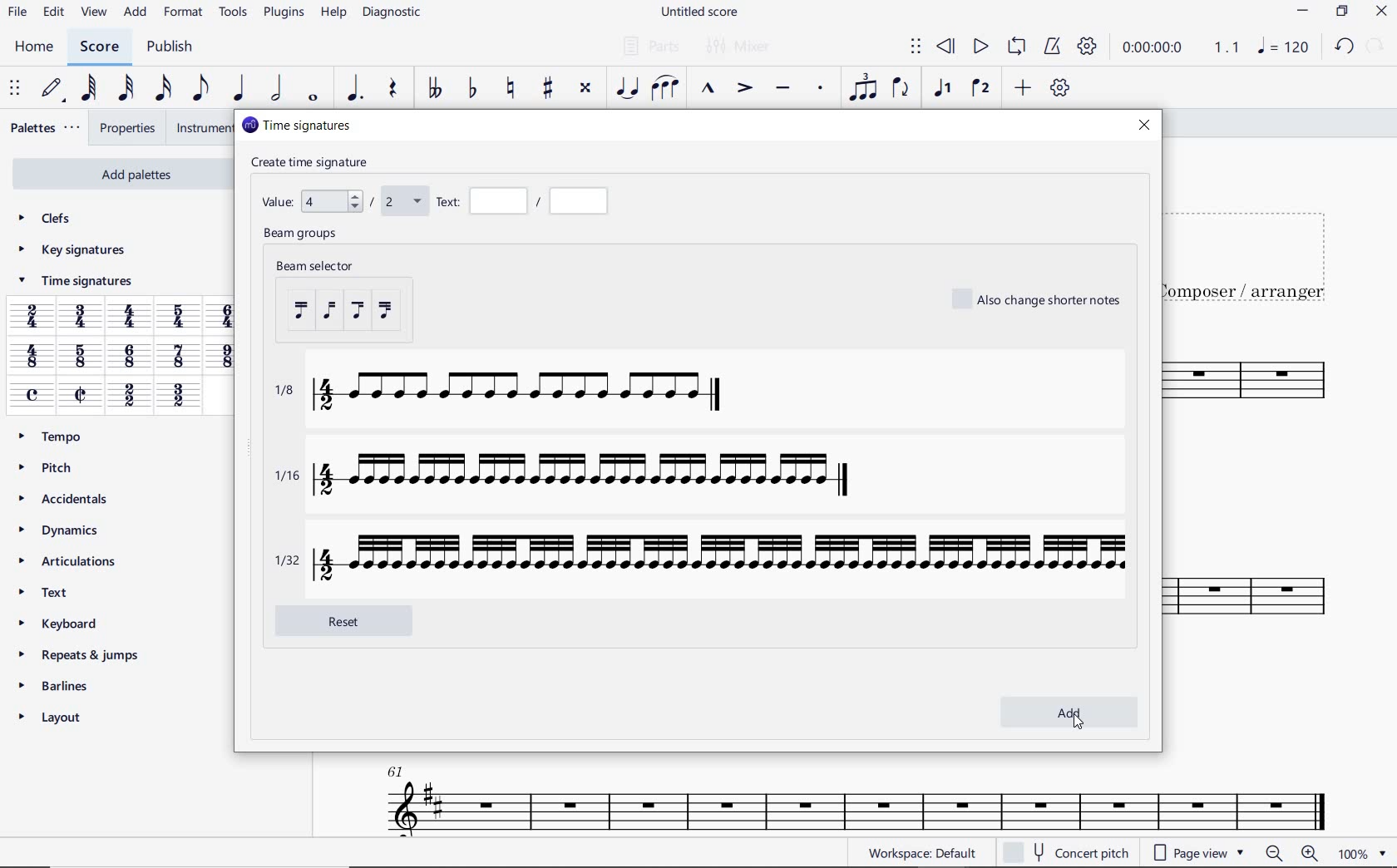 The width and height of the screenshot is (1397, 868). What do you see at coordinates (132, 318) in the screenshot?
I see `4/4` at bounding box center [132, 318].